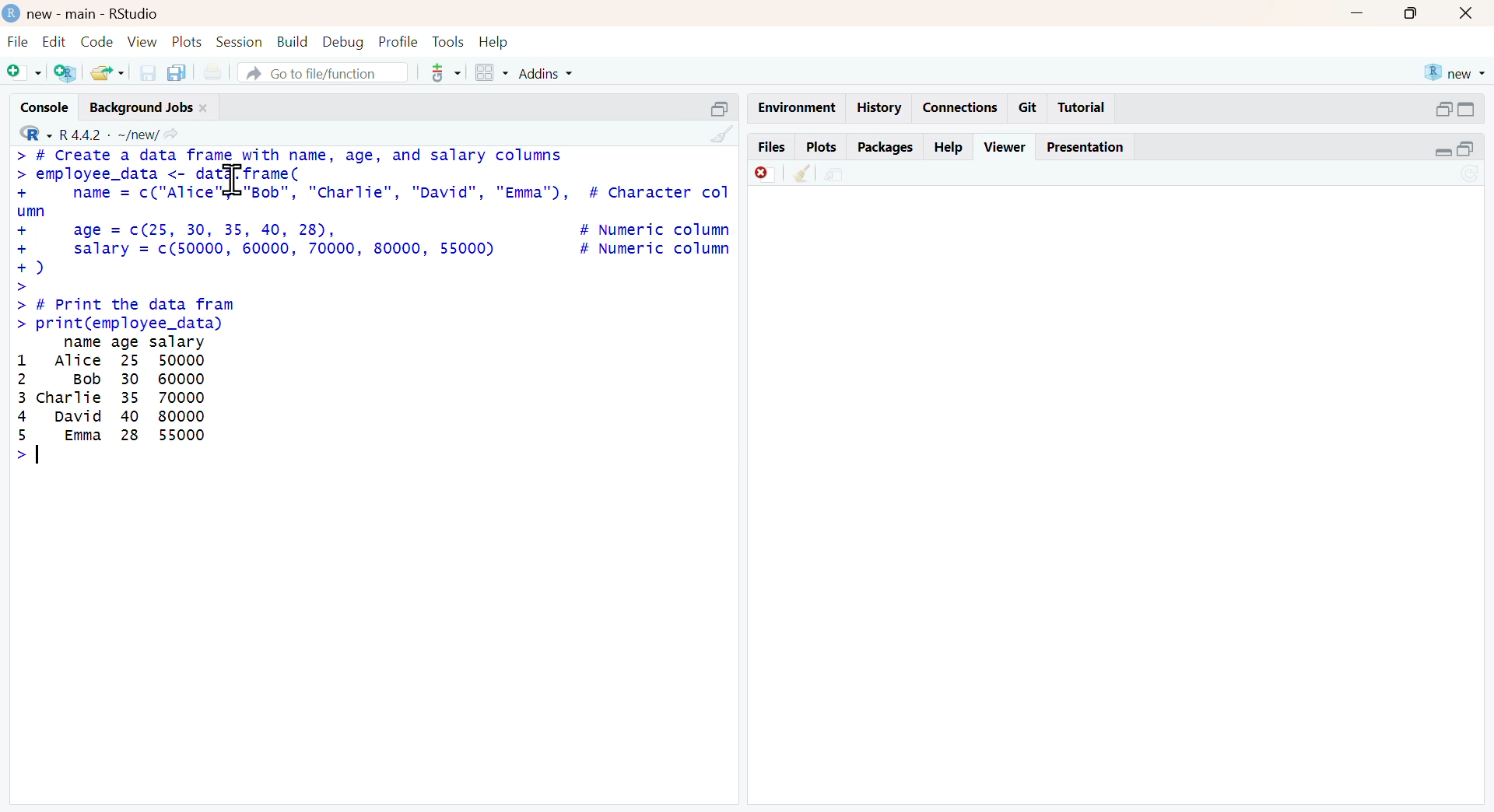  Describe the element at coordinates (23, 75) in the screenshot. I see `New file` at that location.